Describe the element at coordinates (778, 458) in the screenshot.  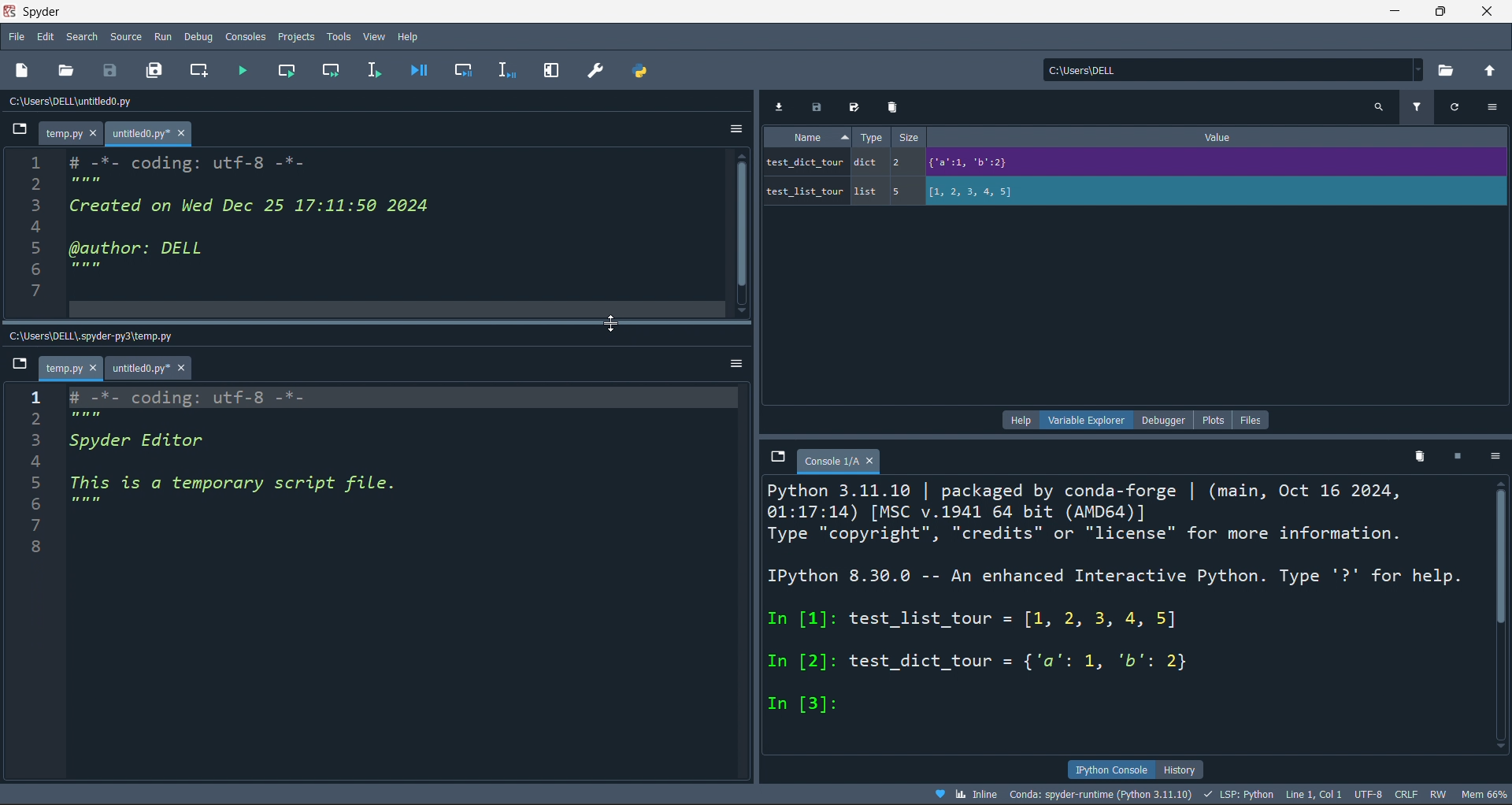
I see `browse tabs` at that location.